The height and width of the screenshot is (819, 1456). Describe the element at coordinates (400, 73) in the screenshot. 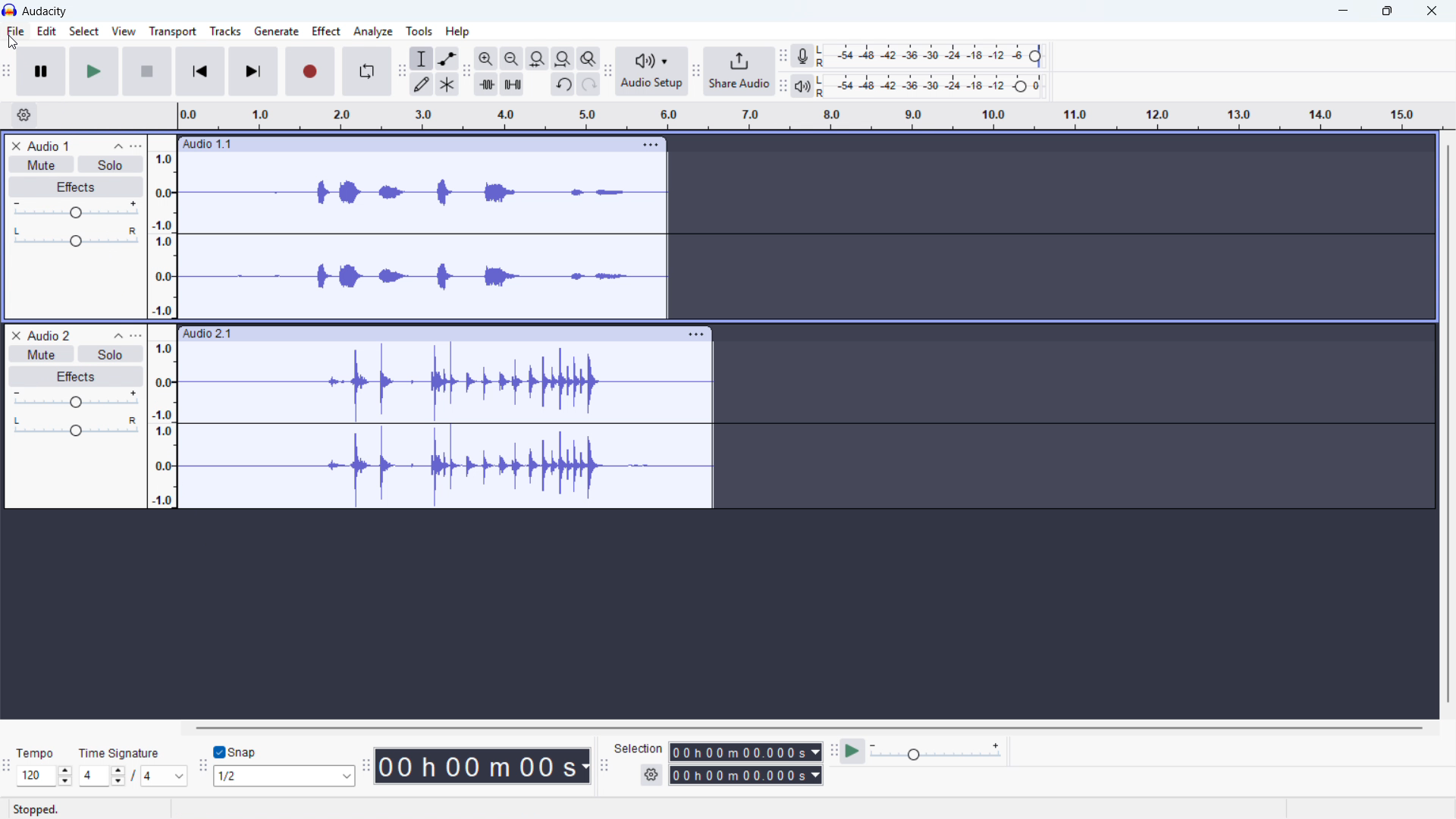

I see `Edit toolbar ` at that location.